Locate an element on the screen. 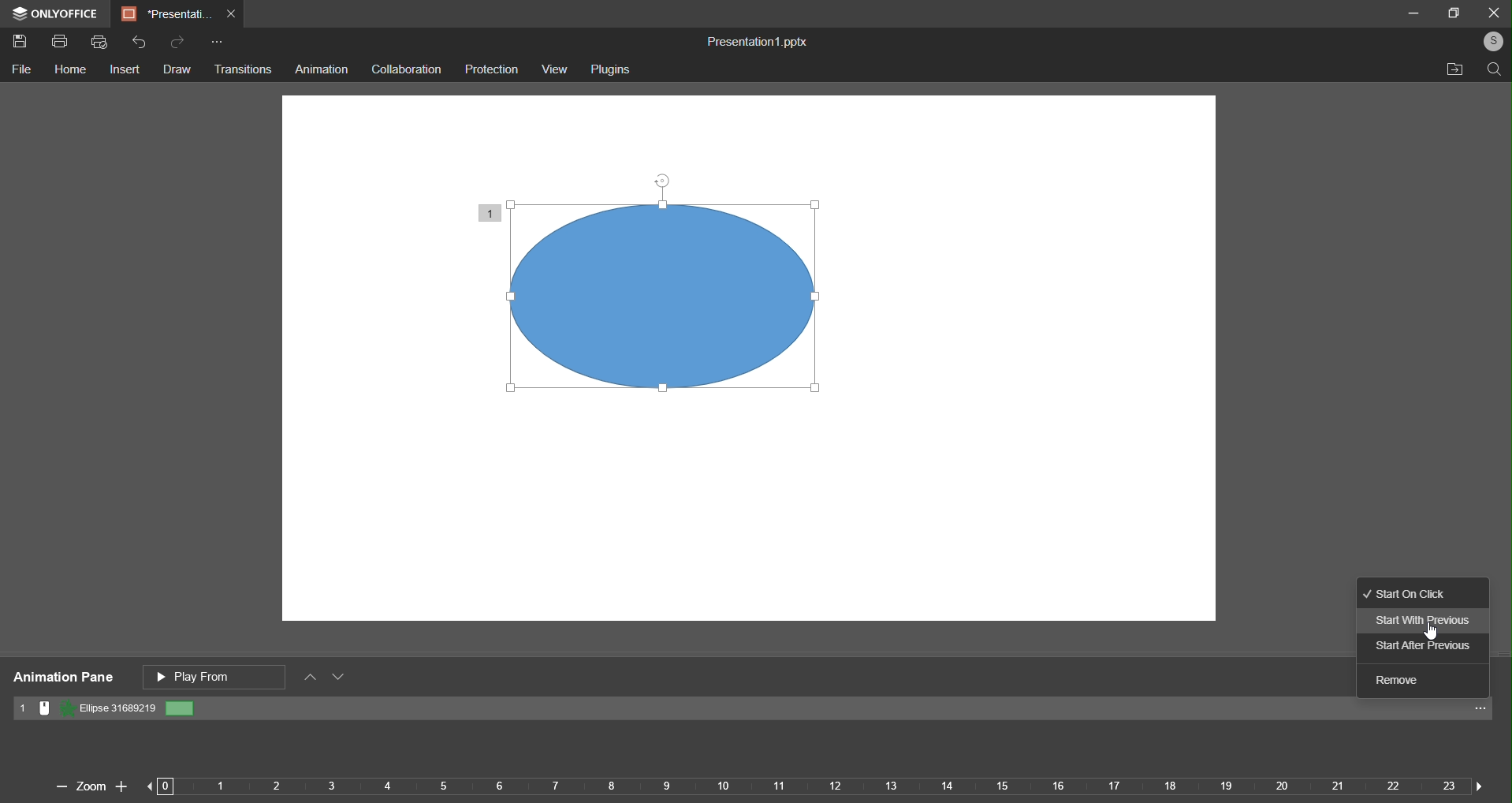 The height and width of the screenshot is (803, 1512). login is located at coordinates (1492, 40).